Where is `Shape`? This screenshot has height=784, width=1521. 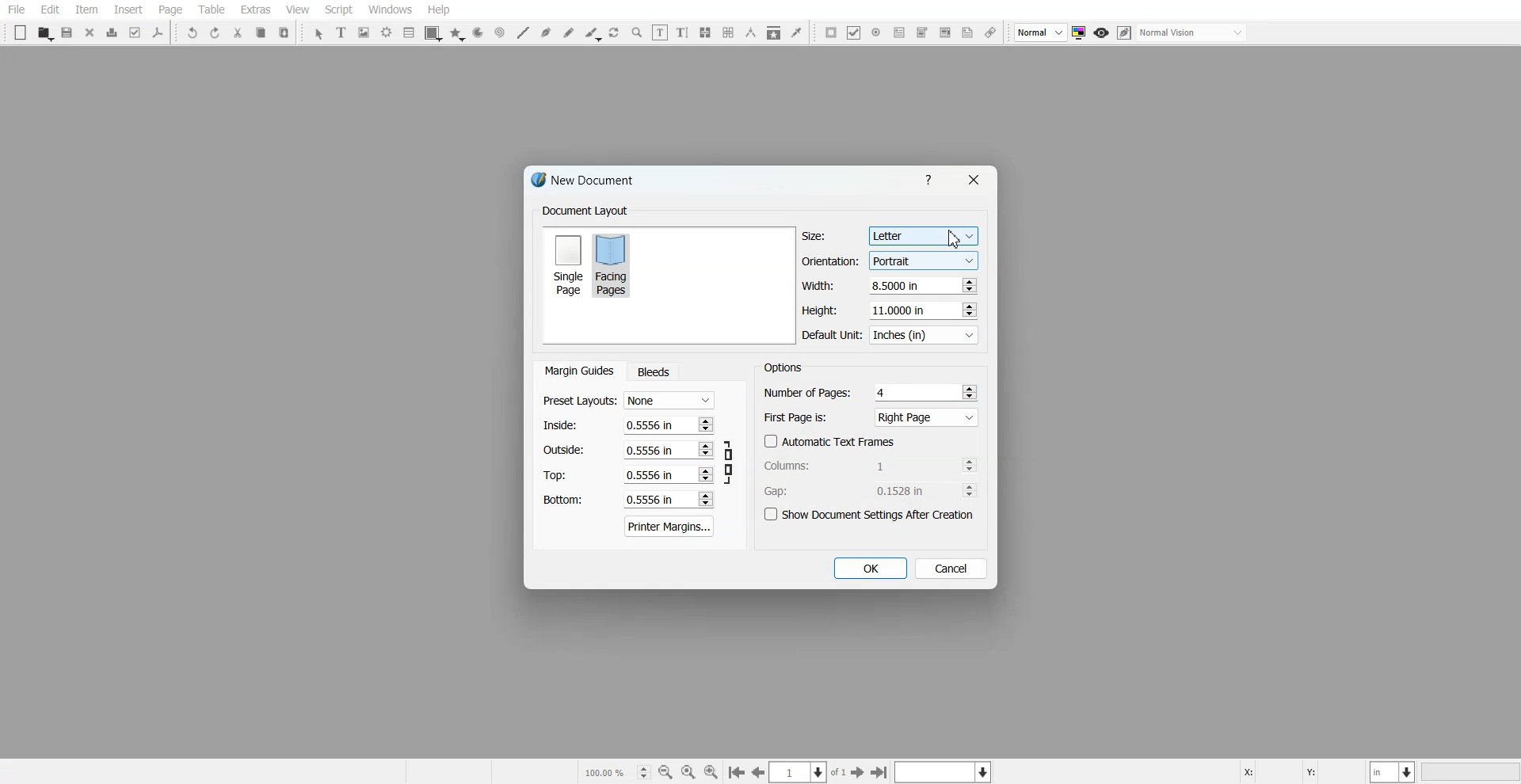 Shape is located at coordinates (433, 33).